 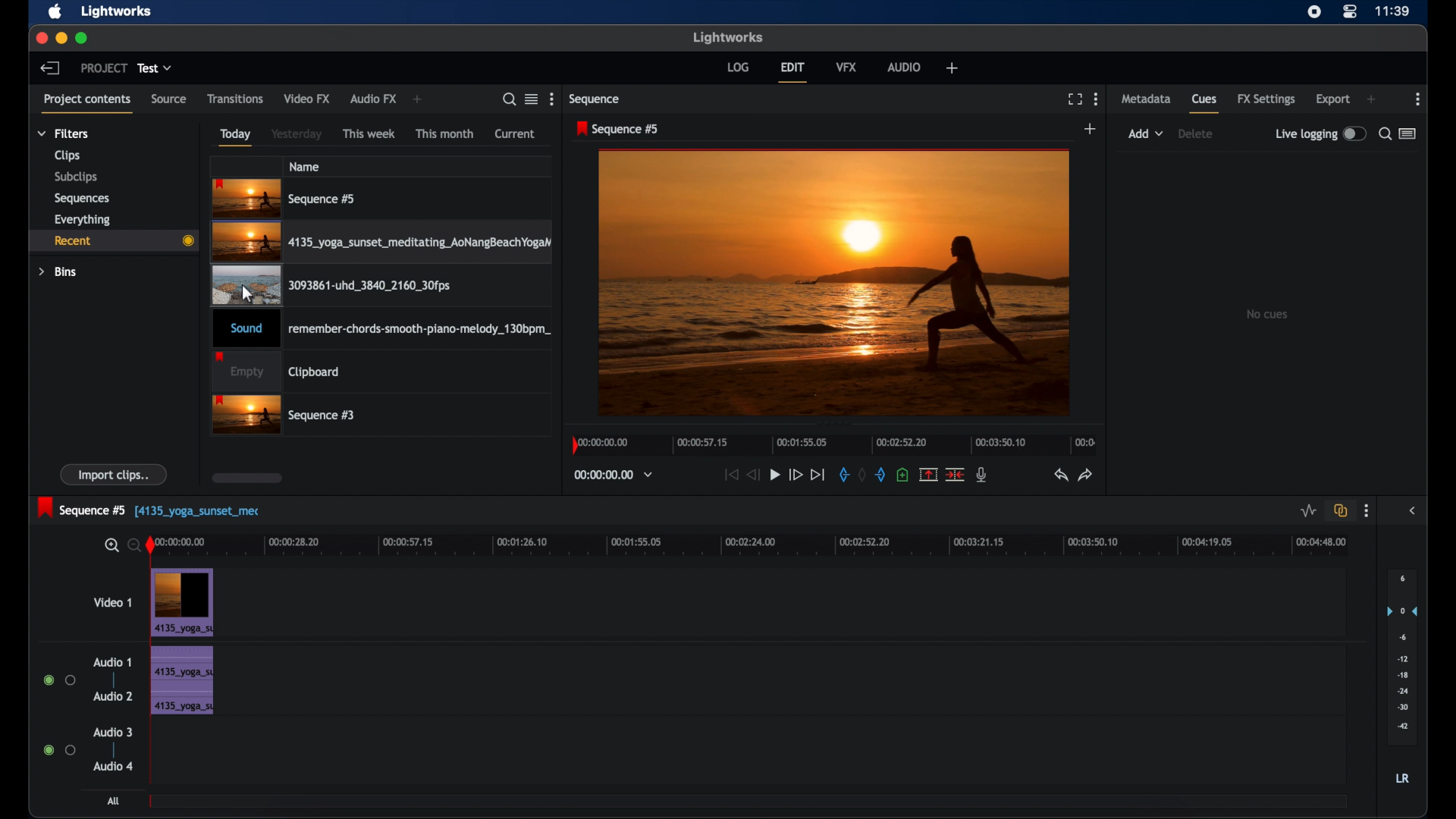 What do you see at coordinates (595, 101) in the screenshot?
I see `sequence` at bounding box center [595, 101].